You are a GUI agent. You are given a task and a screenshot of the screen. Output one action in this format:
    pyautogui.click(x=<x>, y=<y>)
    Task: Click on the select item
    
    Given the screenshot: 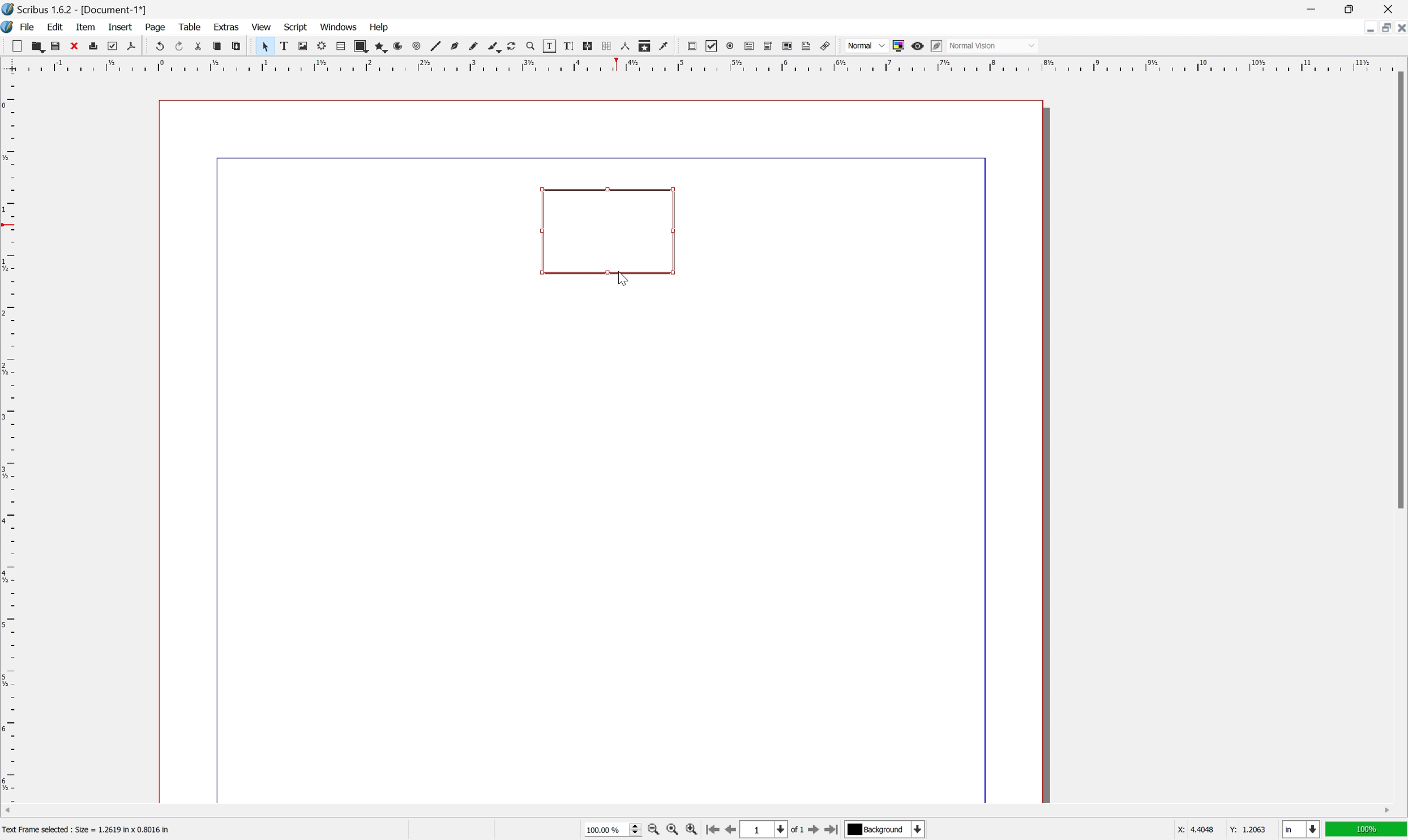 What is the action you would take?
    pyautogui.click(x=265, y=46)
    